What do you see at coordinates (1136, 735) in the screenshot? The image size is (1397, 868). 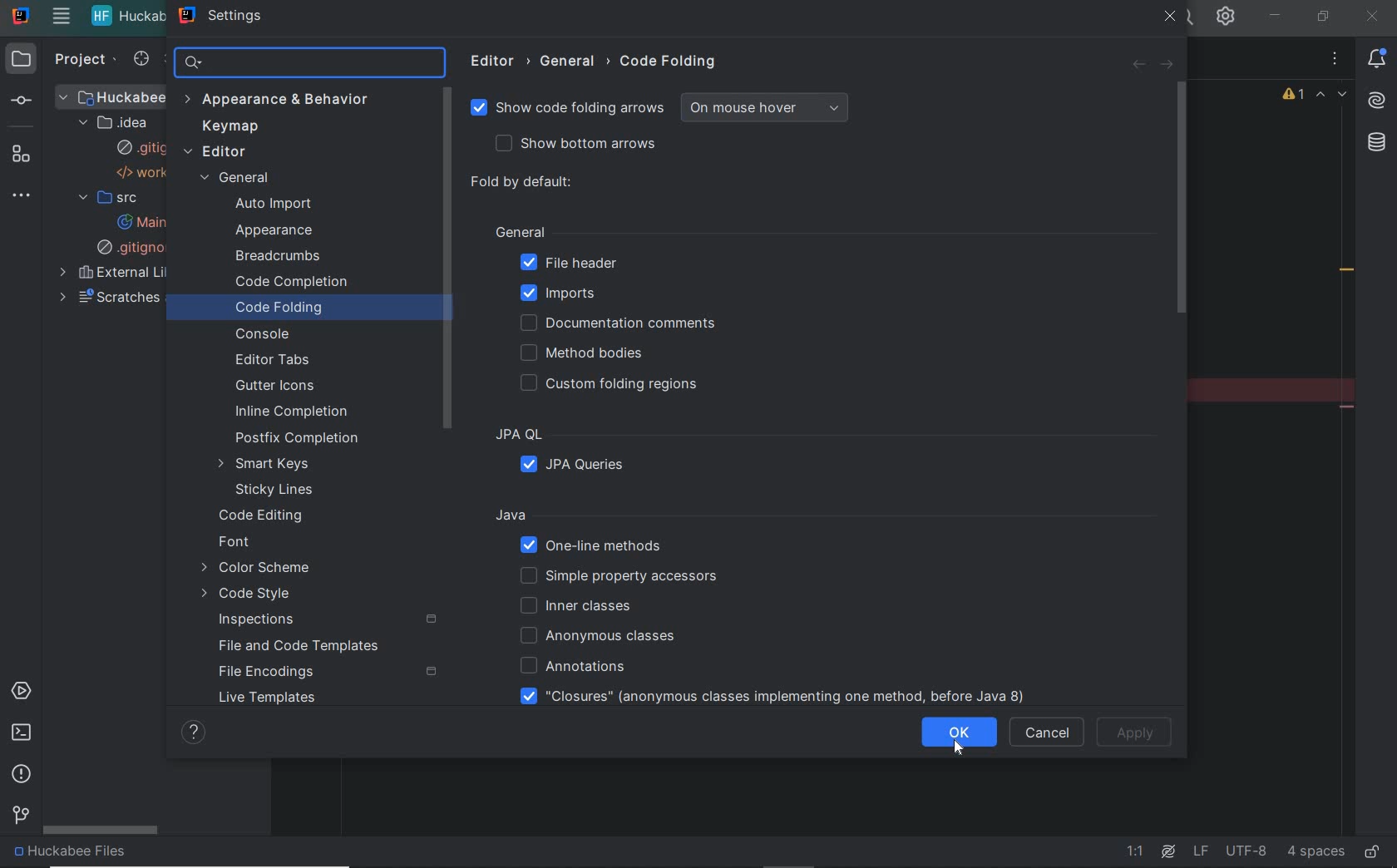 I see `apply` at bounding box center [1136, 735].